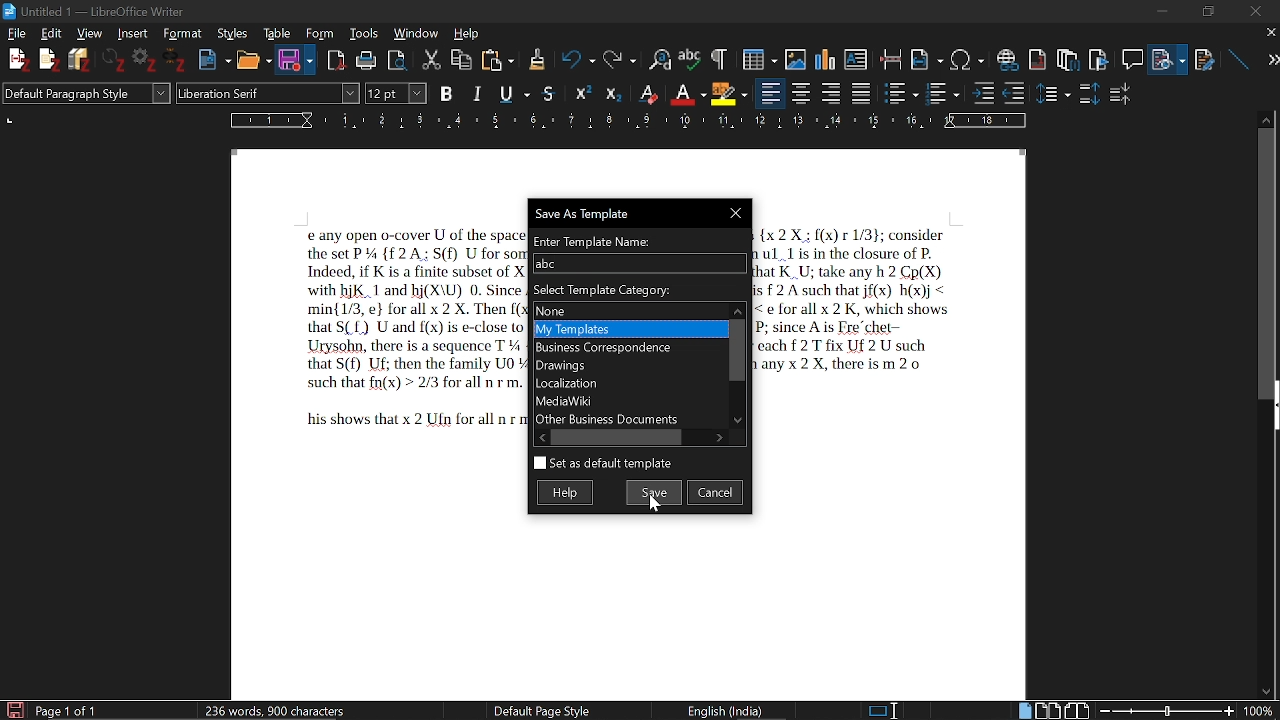  What do you see at coordinates (825, 56) in the screenshot?
I see `Insert diagram` at bounding box center [825, 56].